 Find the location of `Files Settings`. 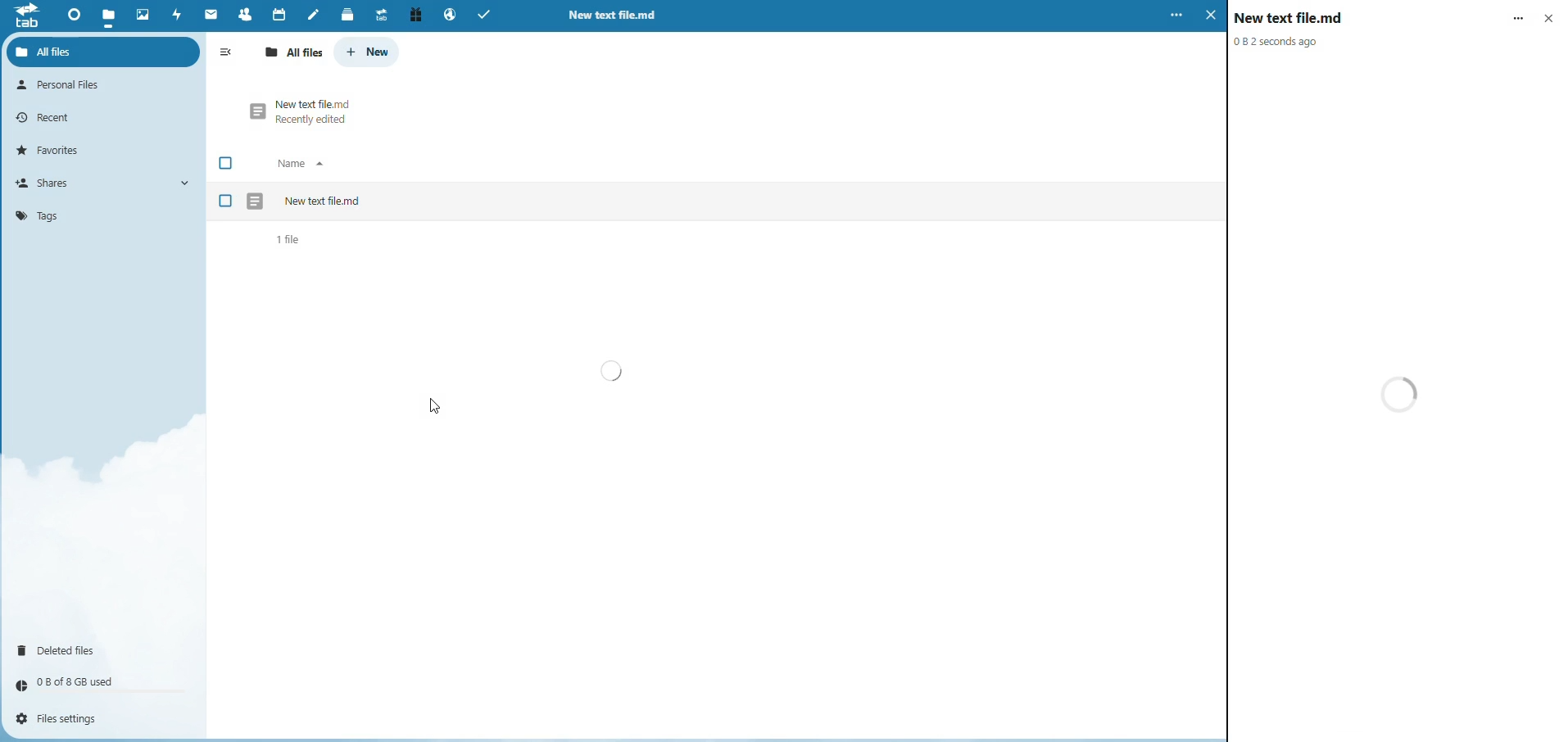

Files Settings is located at coordinates (66, 719).